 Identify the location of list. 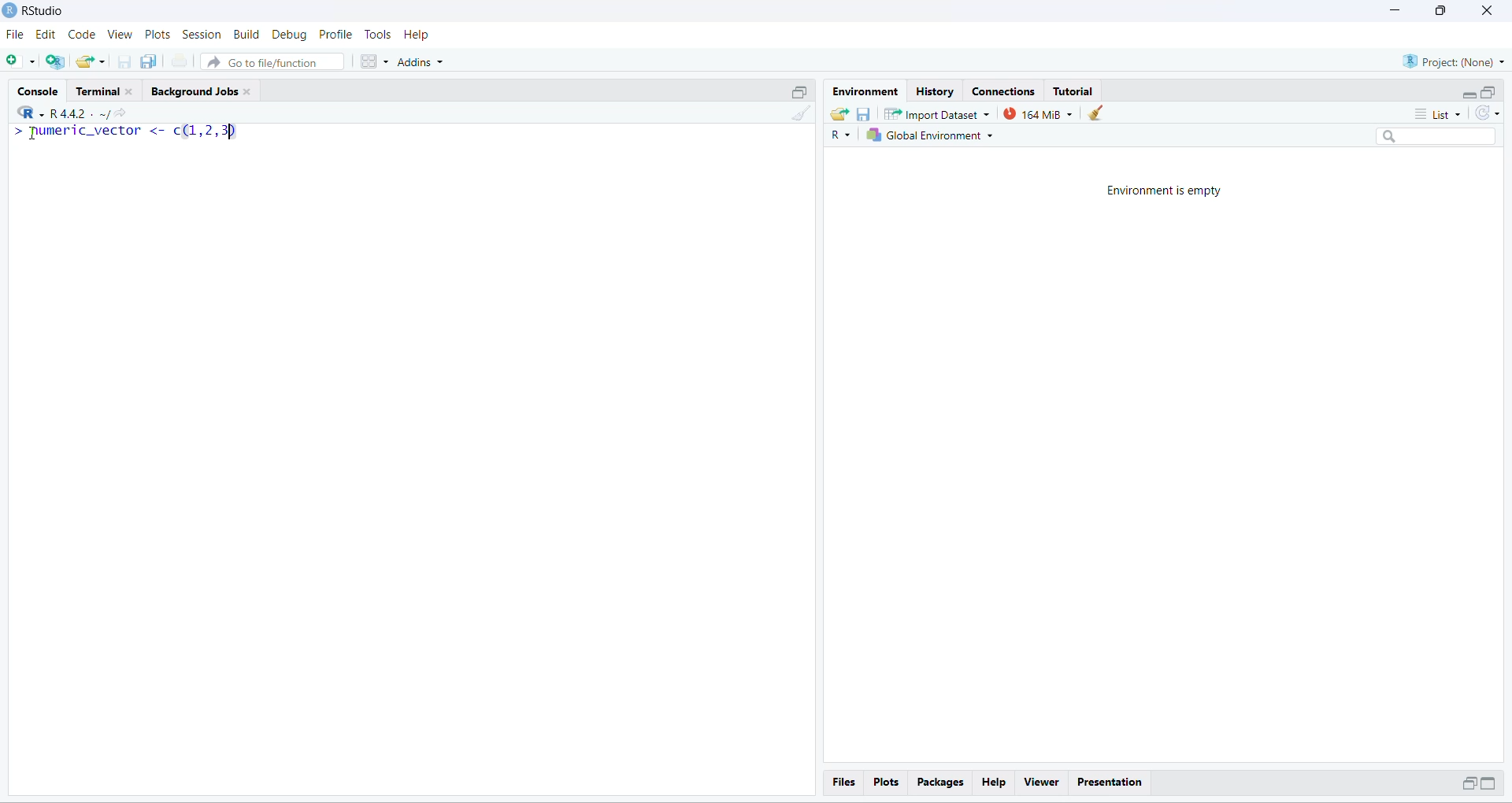
(1443, 113).